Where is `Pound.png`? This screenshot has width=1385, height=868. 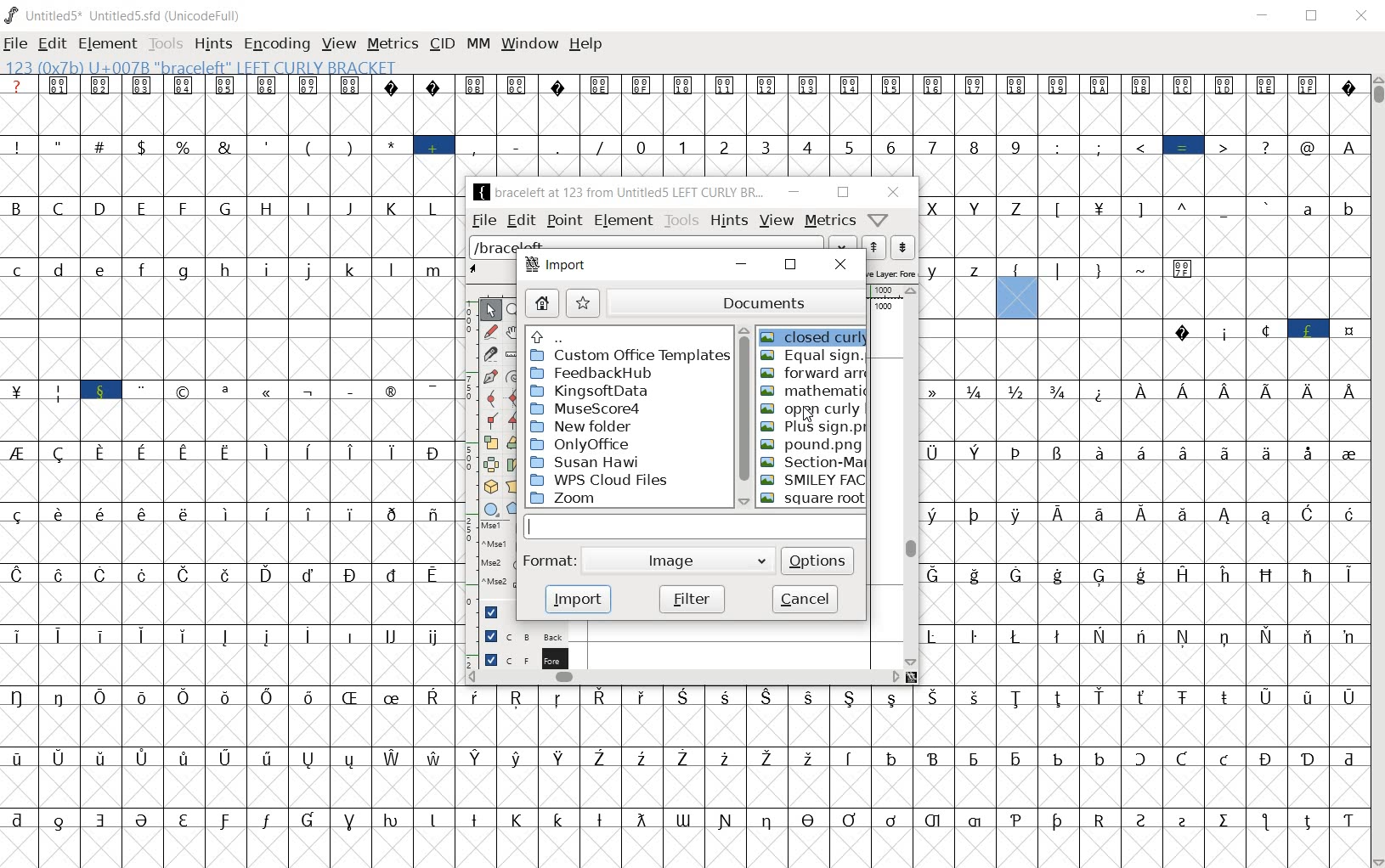 Pound.png is located at coordinates (815, 444).